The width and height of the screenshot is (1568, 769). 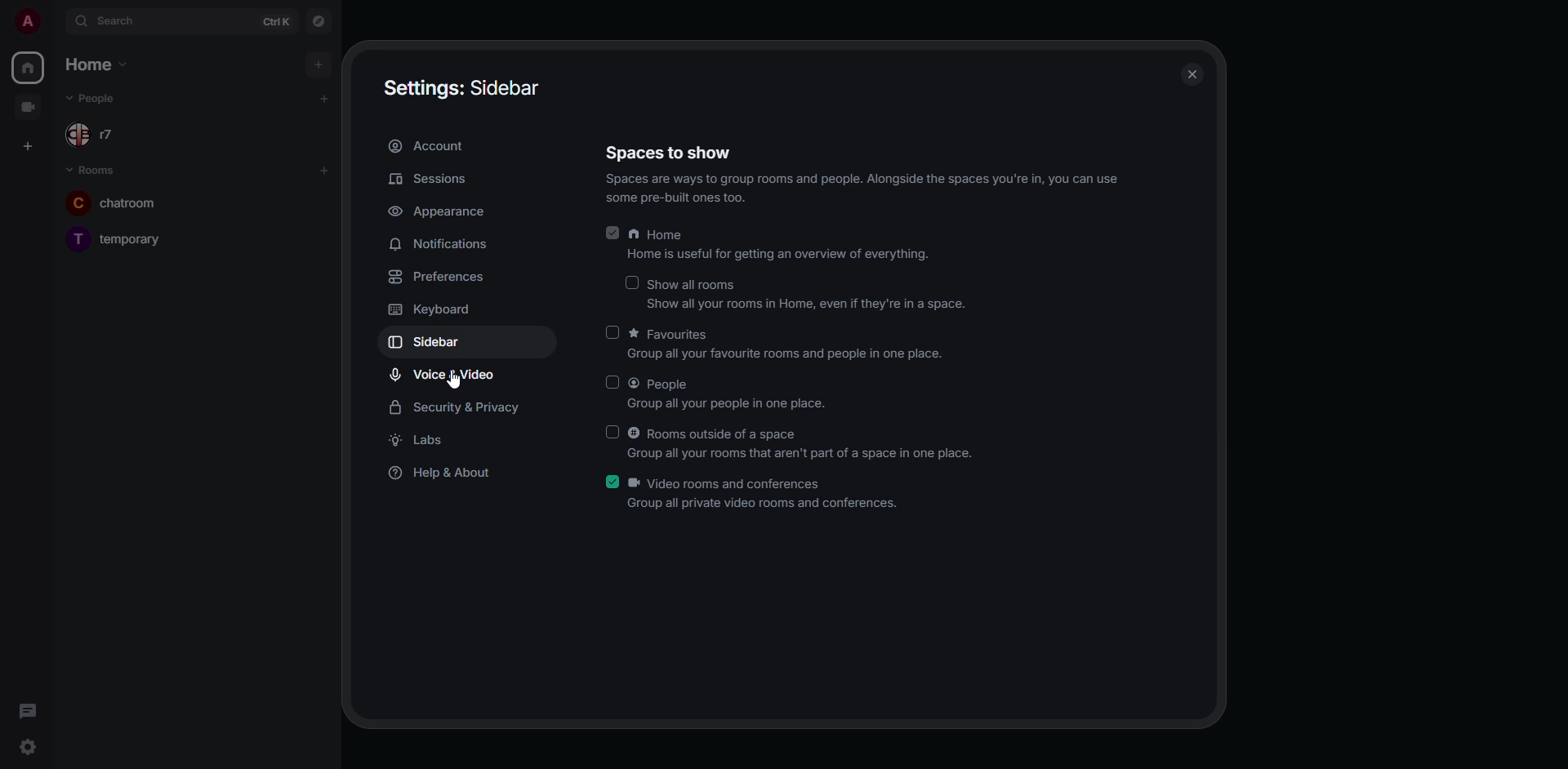 What do you see at coordinates (443, 473) in the screenshot?
I see `help & about` at bounding box center [443, 473].